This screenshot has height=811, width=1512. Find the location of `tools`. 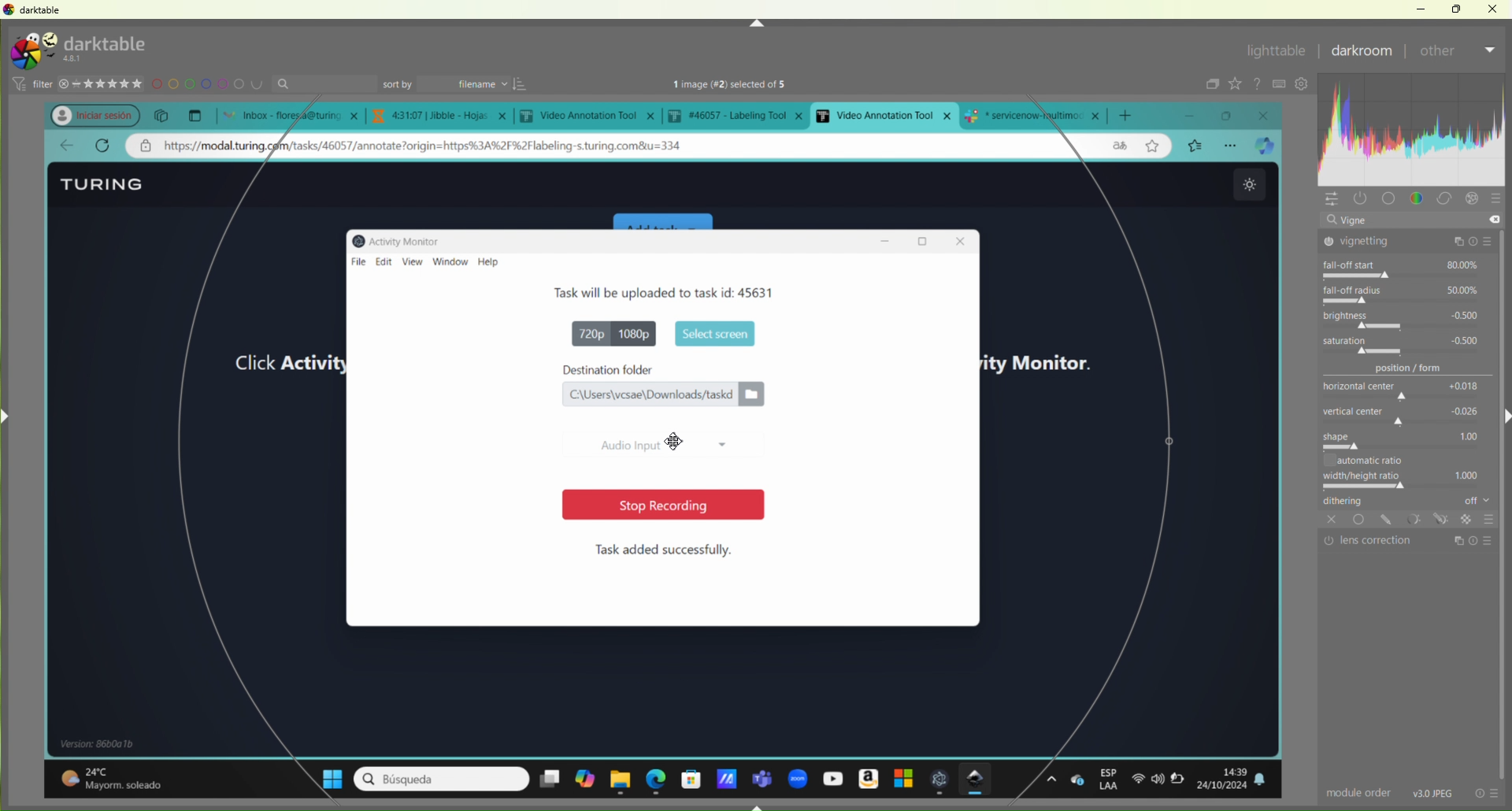

tools is located at coordinates (1395, 519).